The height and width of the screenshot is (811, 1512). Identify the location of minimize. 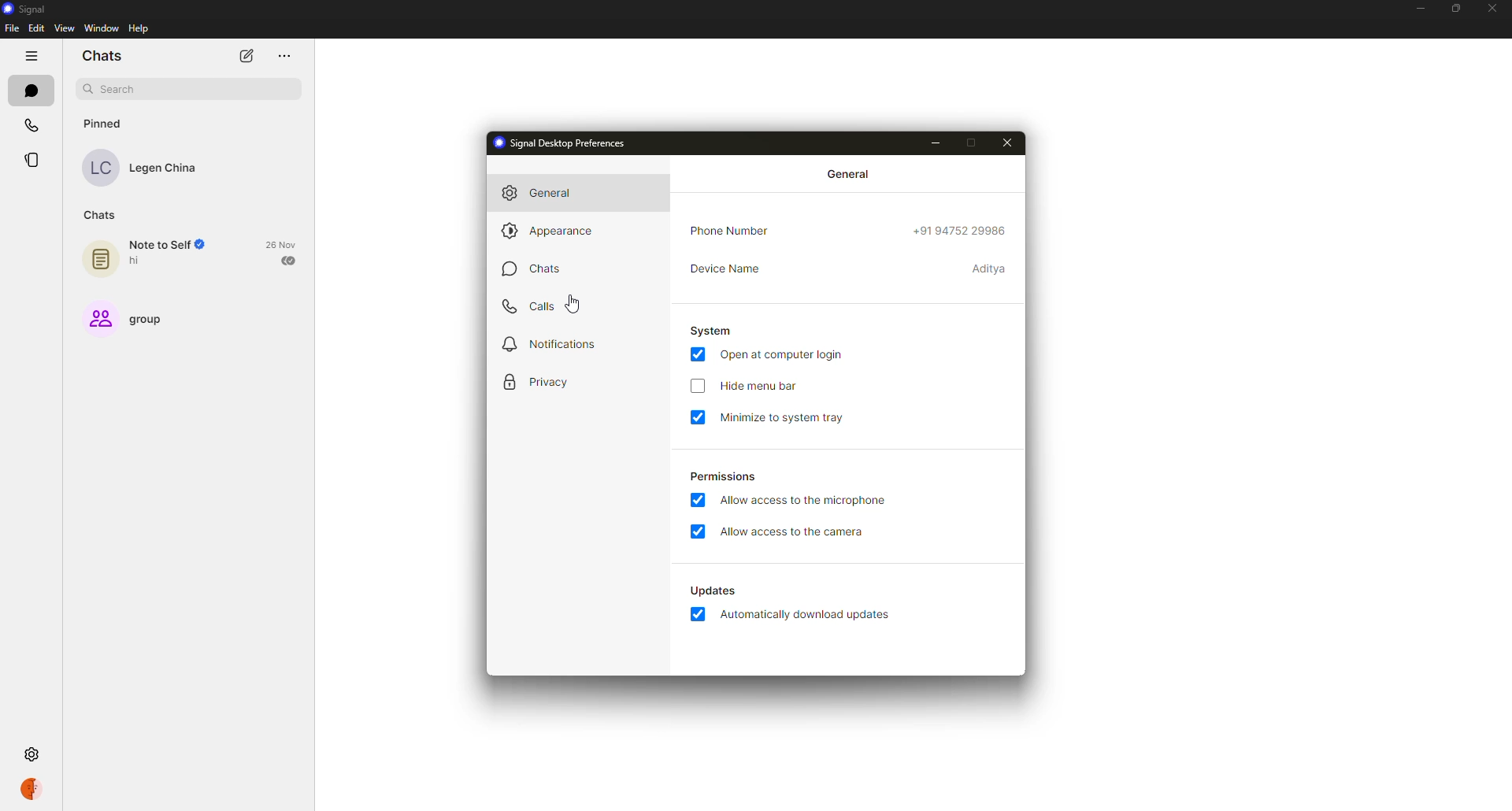
(1420, 8).